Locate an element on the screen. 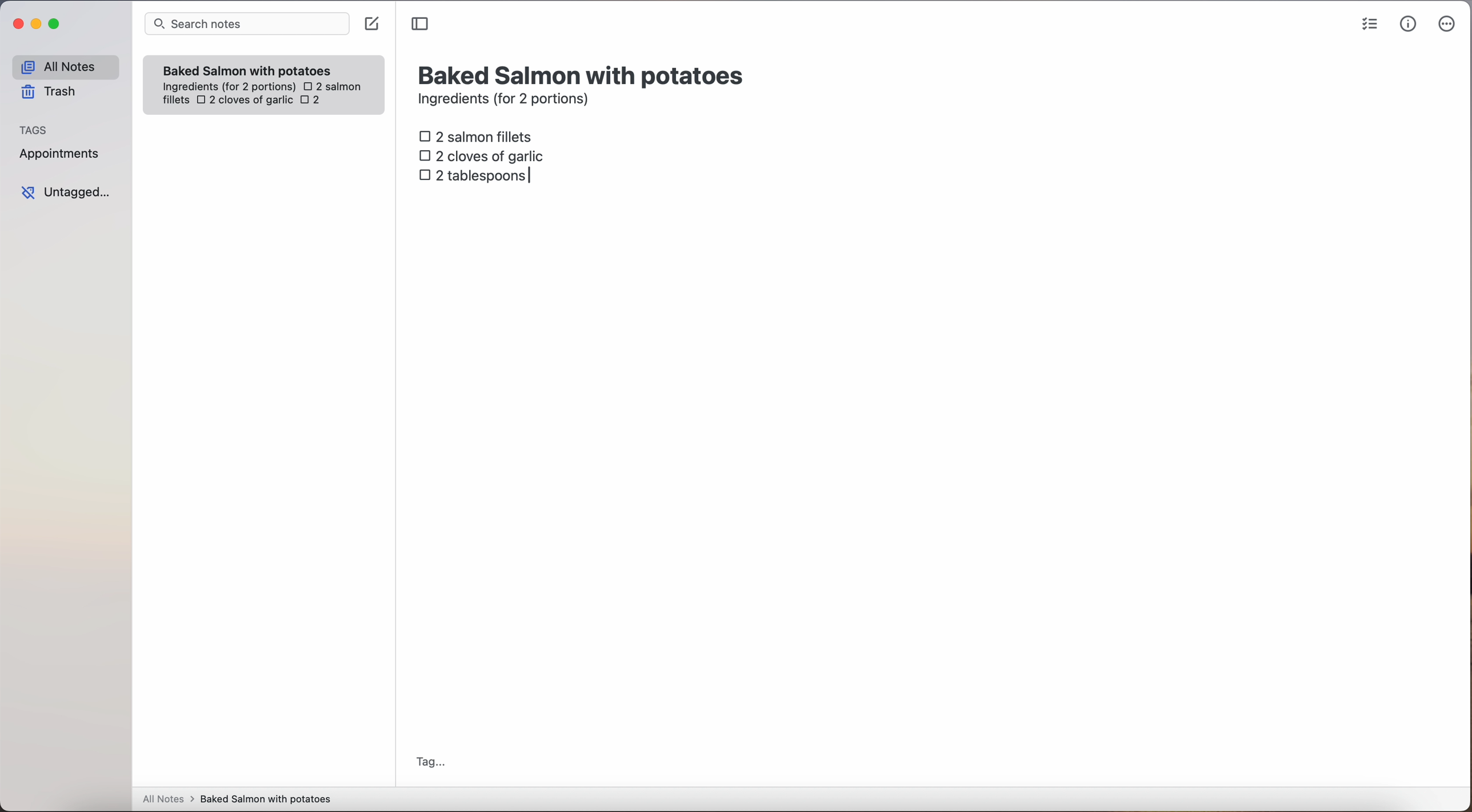  more options is located at coordinates (1449, 25).